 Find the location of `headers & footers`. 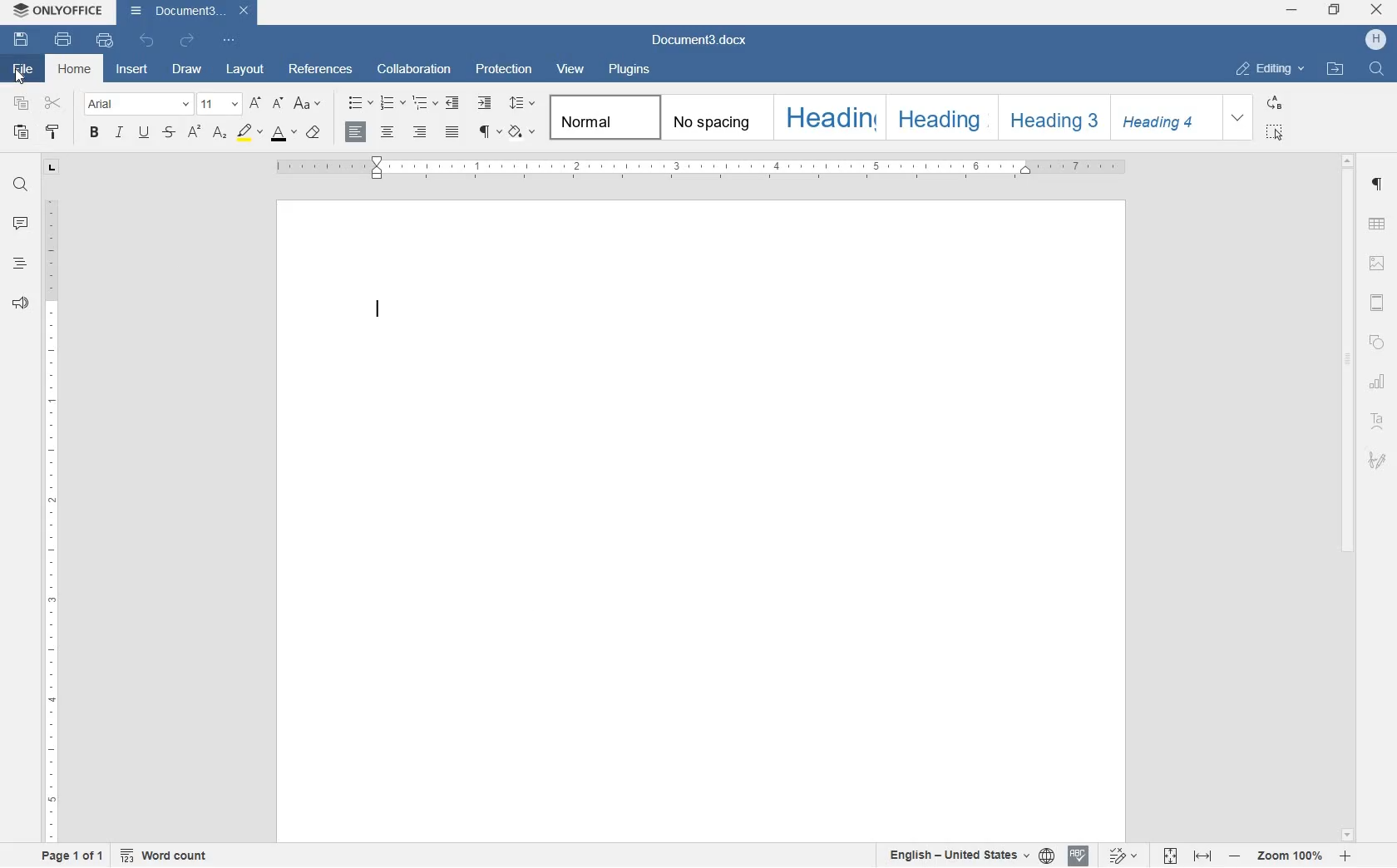

headers & footers is located at coordinates (1378, 302).